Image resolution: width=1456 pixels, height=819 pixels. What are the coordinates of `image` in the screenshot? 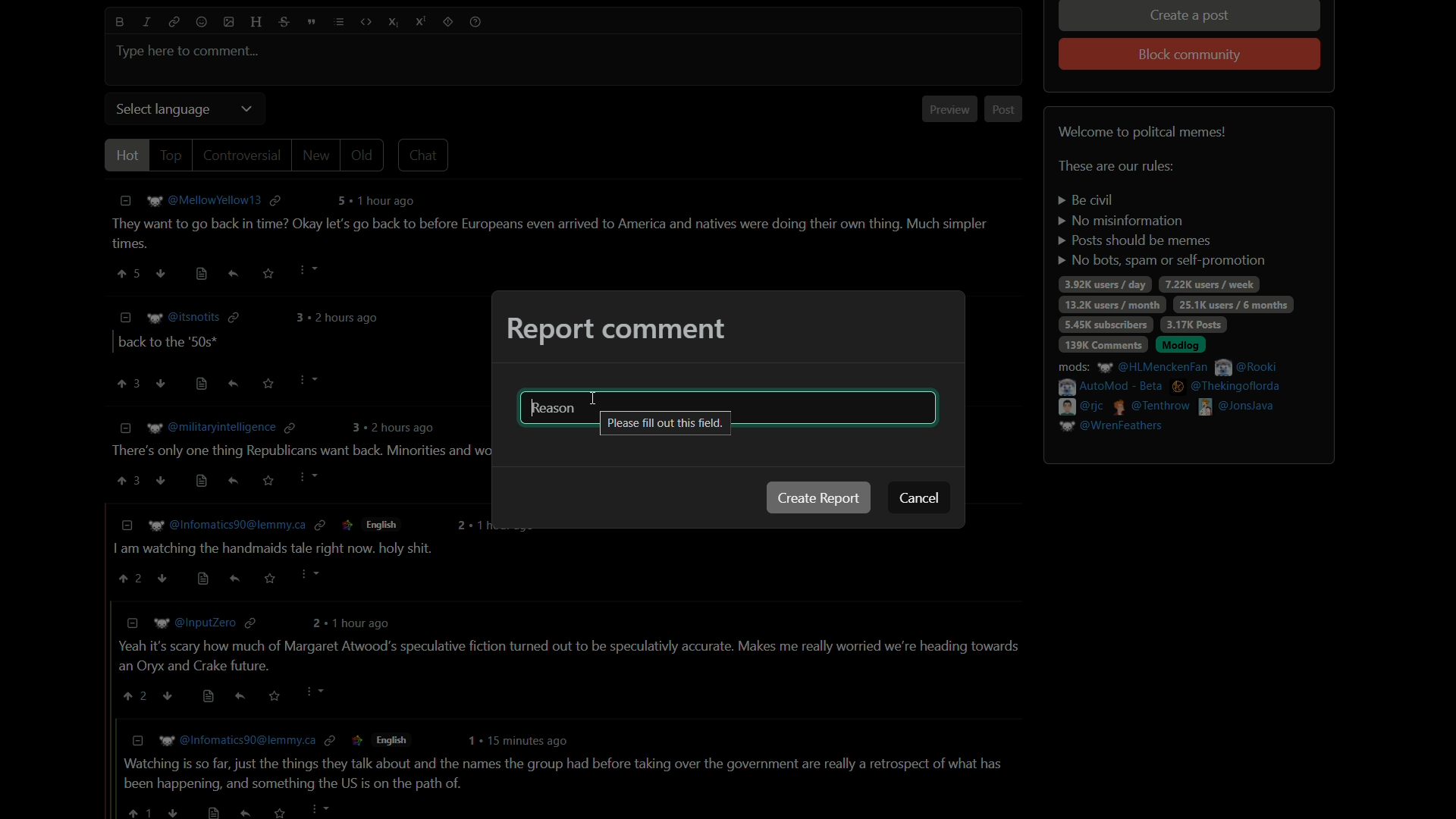 It's located at (229, 21).